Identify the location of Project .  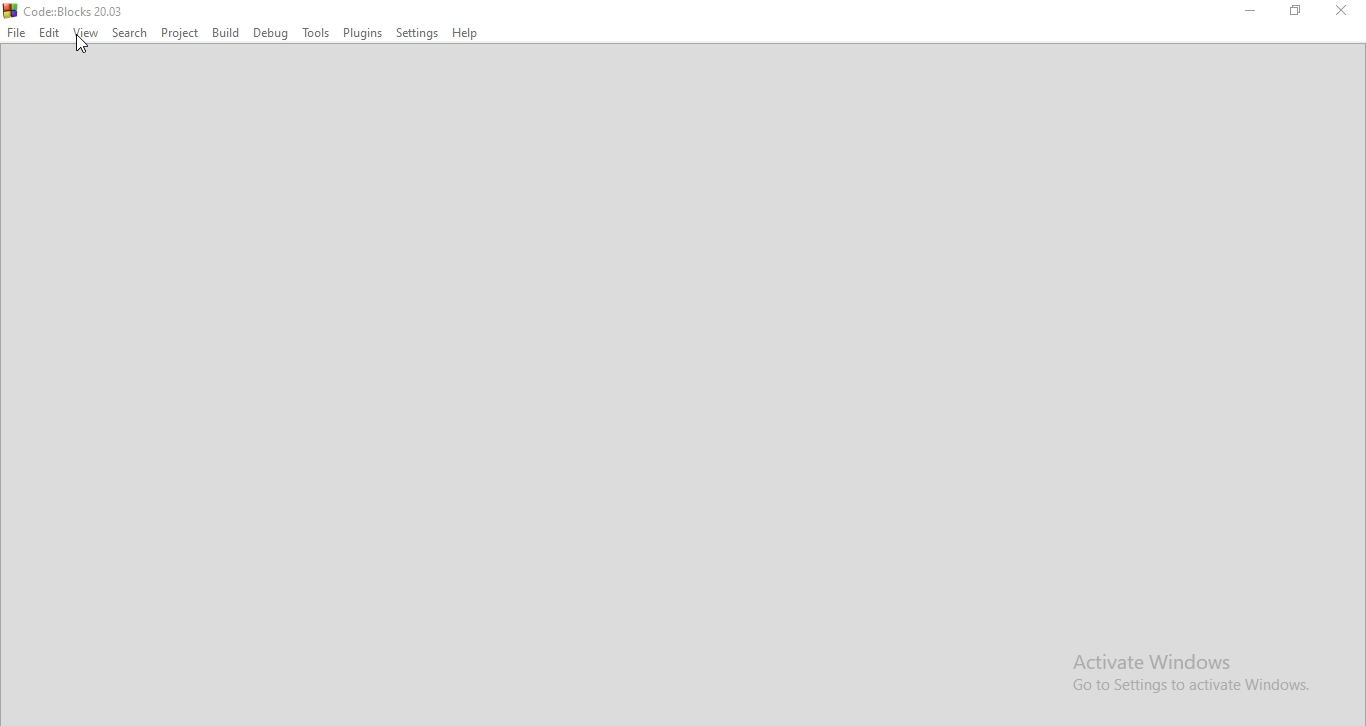
(179, 33).